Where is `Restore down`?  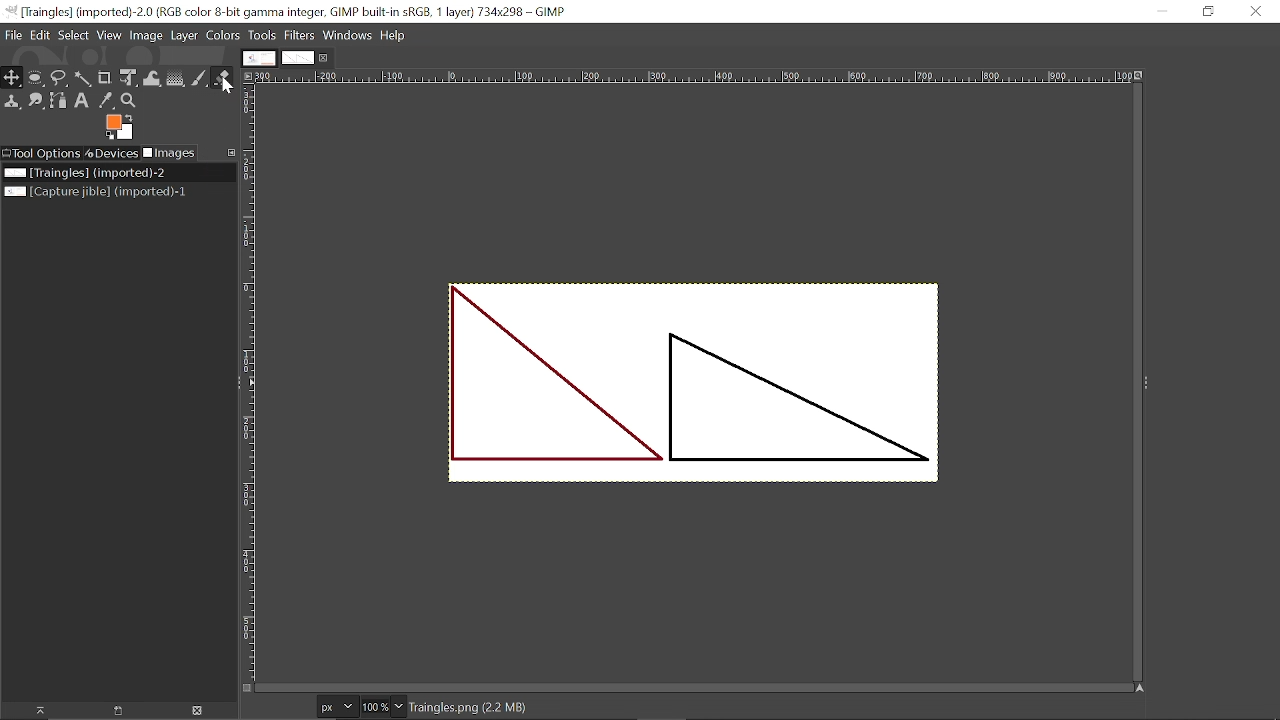 Restore down is located at coordinates (1210, 11).